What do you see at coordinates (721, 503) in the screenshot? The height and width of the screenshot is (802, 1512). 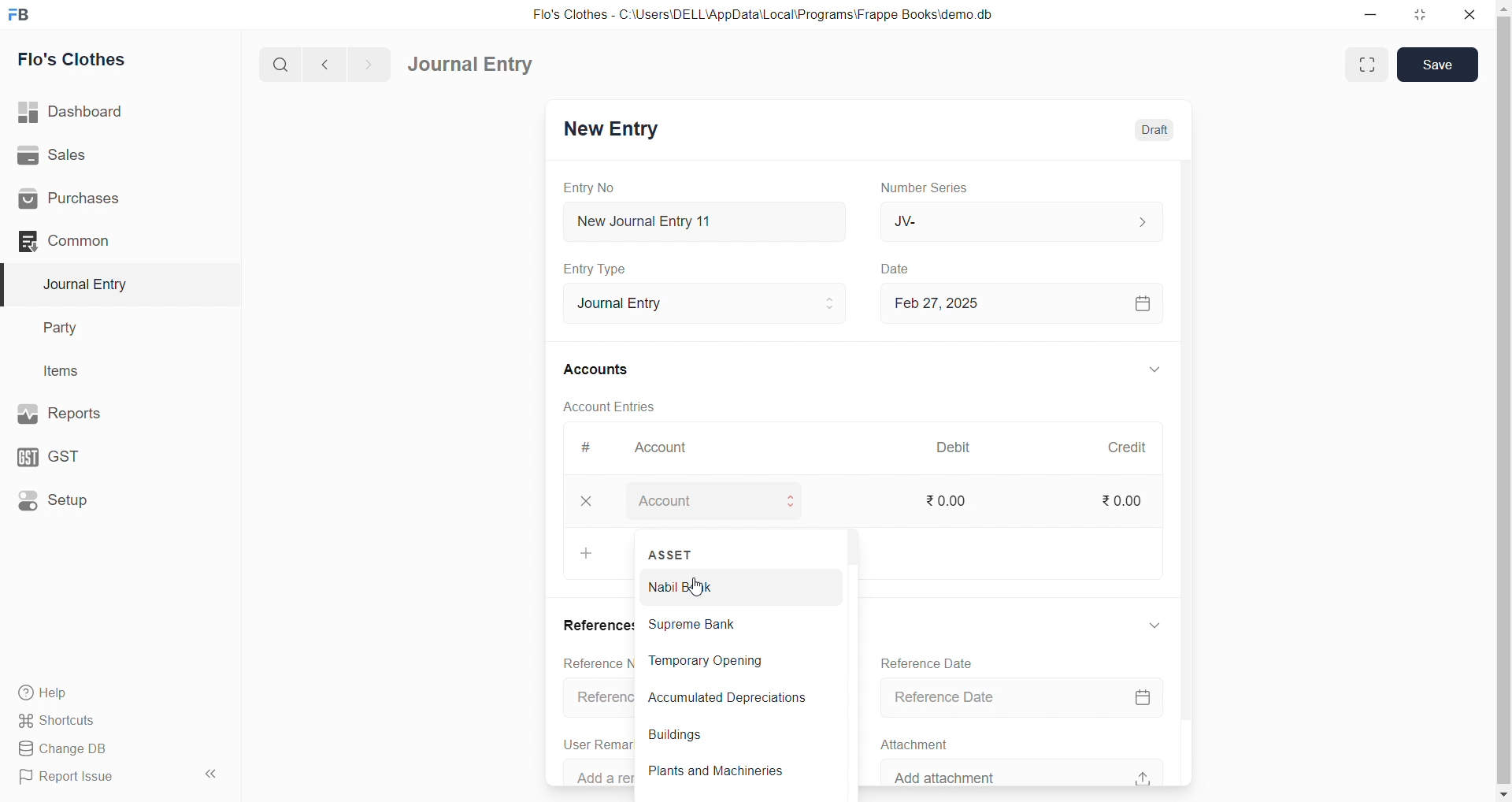 I see `Account` at bounding box center [721, 503].